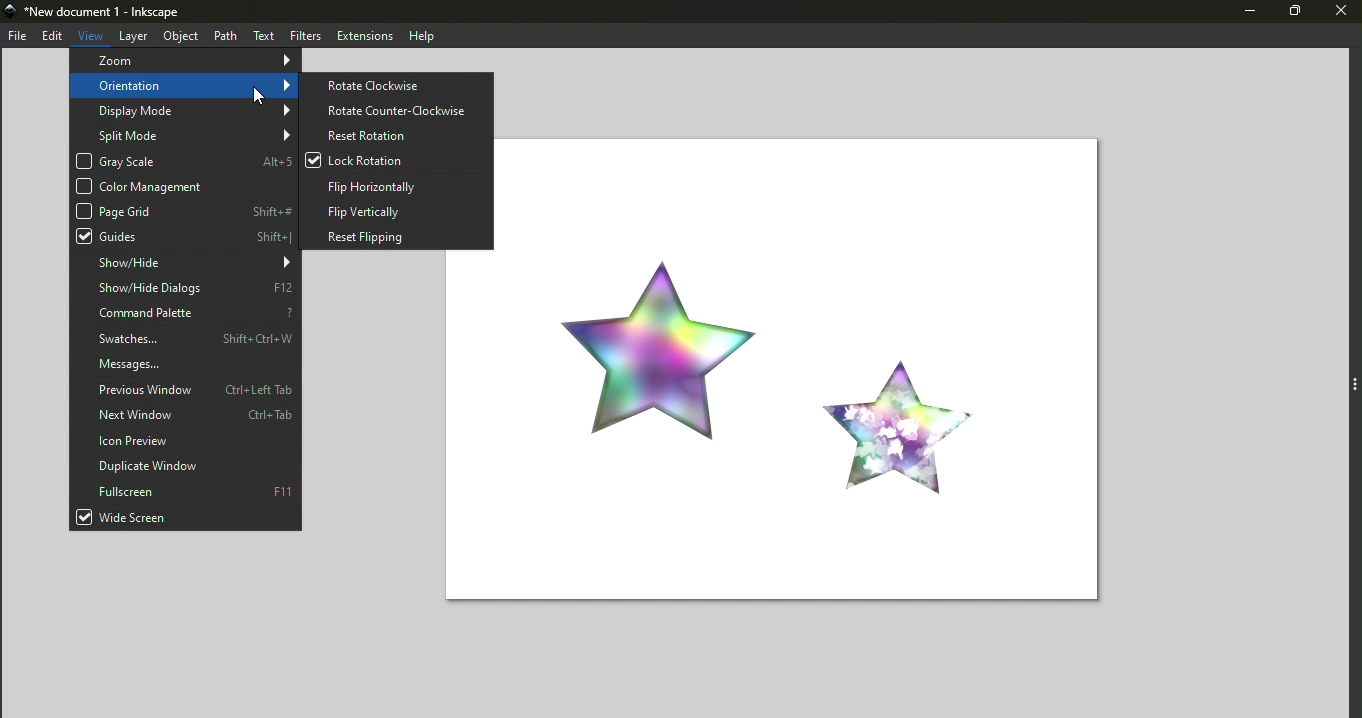 Image resolution: width=1362 pixels, height=718 pixels. I want to click on Gray scale, so click(184, 162).